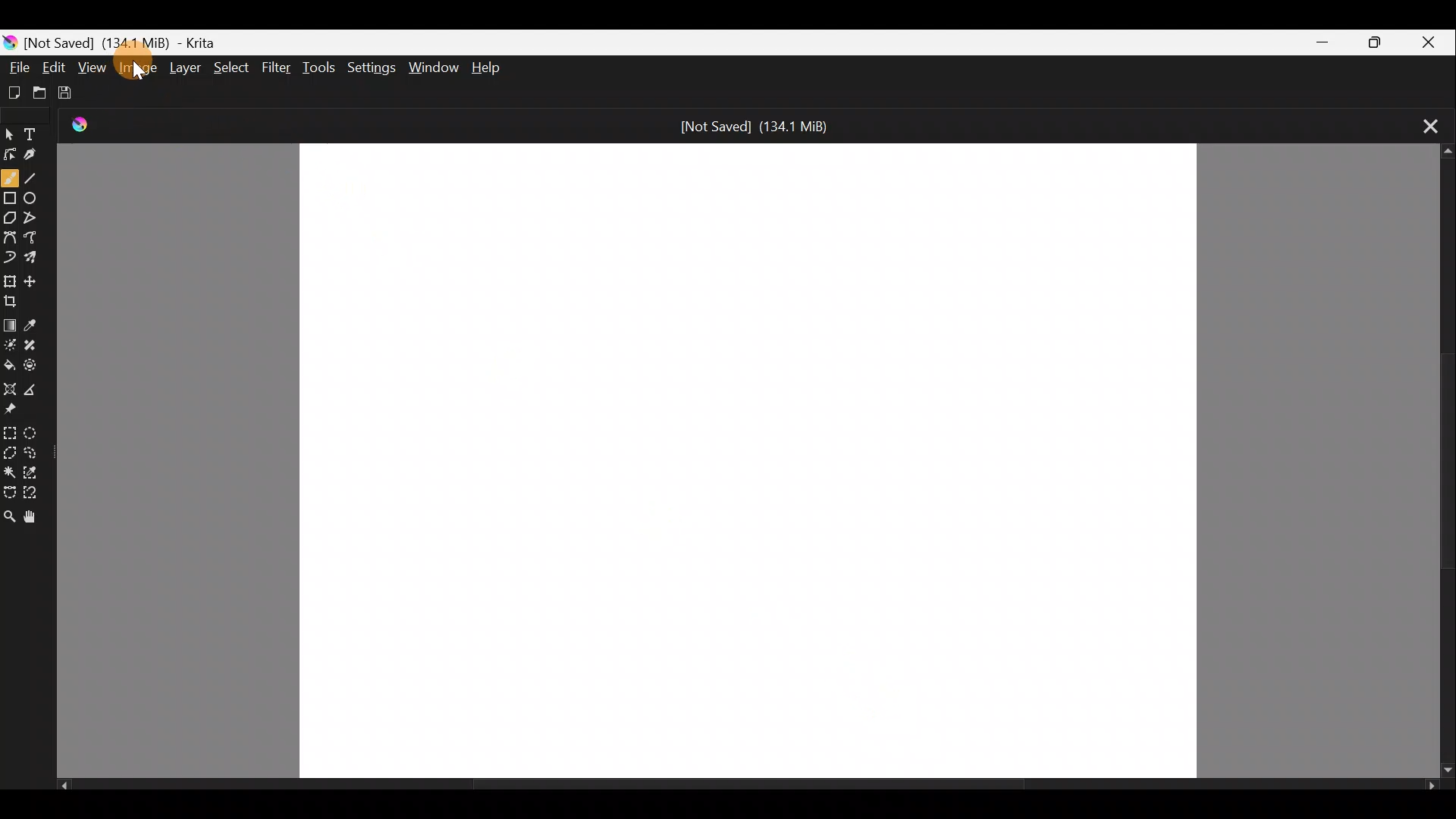 This screenshot has width=1456, height=819. Describe the element at coordinates (11, 219) in the screenshot. I see `Polygon tool` at that location.